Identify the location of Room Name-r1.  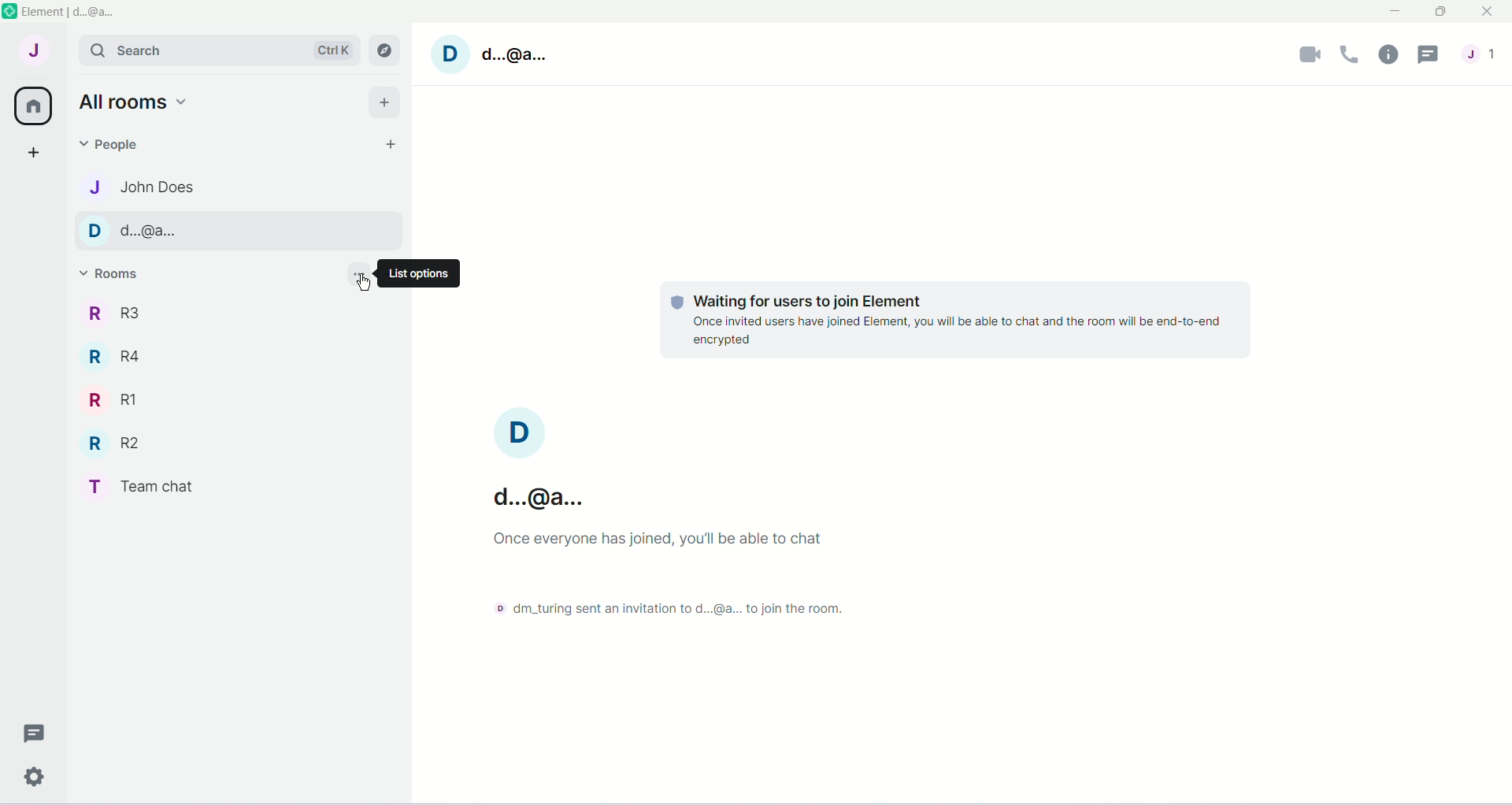
(114, 401).